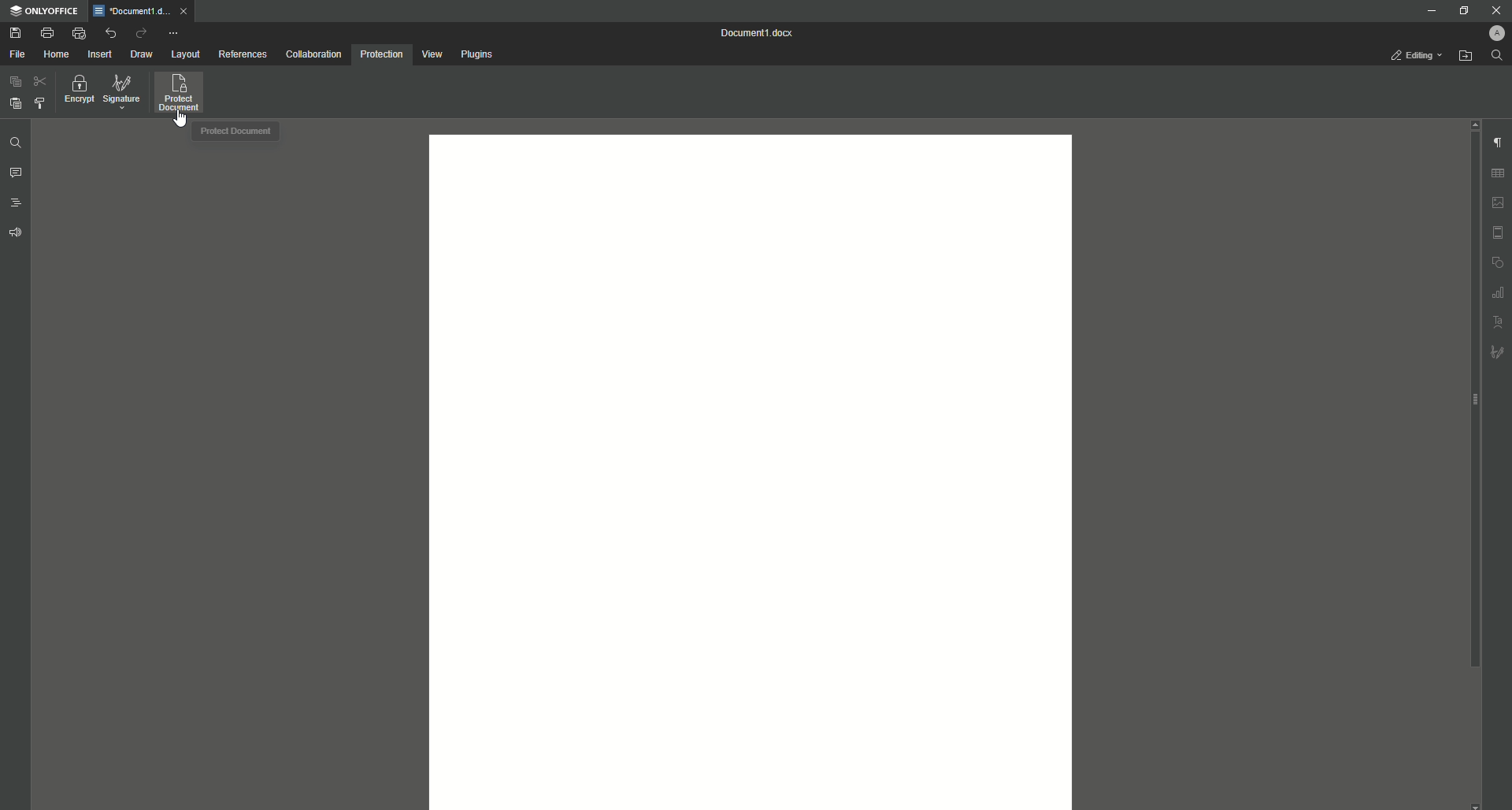  I want to click on Document1.docx, so click(131, 11).